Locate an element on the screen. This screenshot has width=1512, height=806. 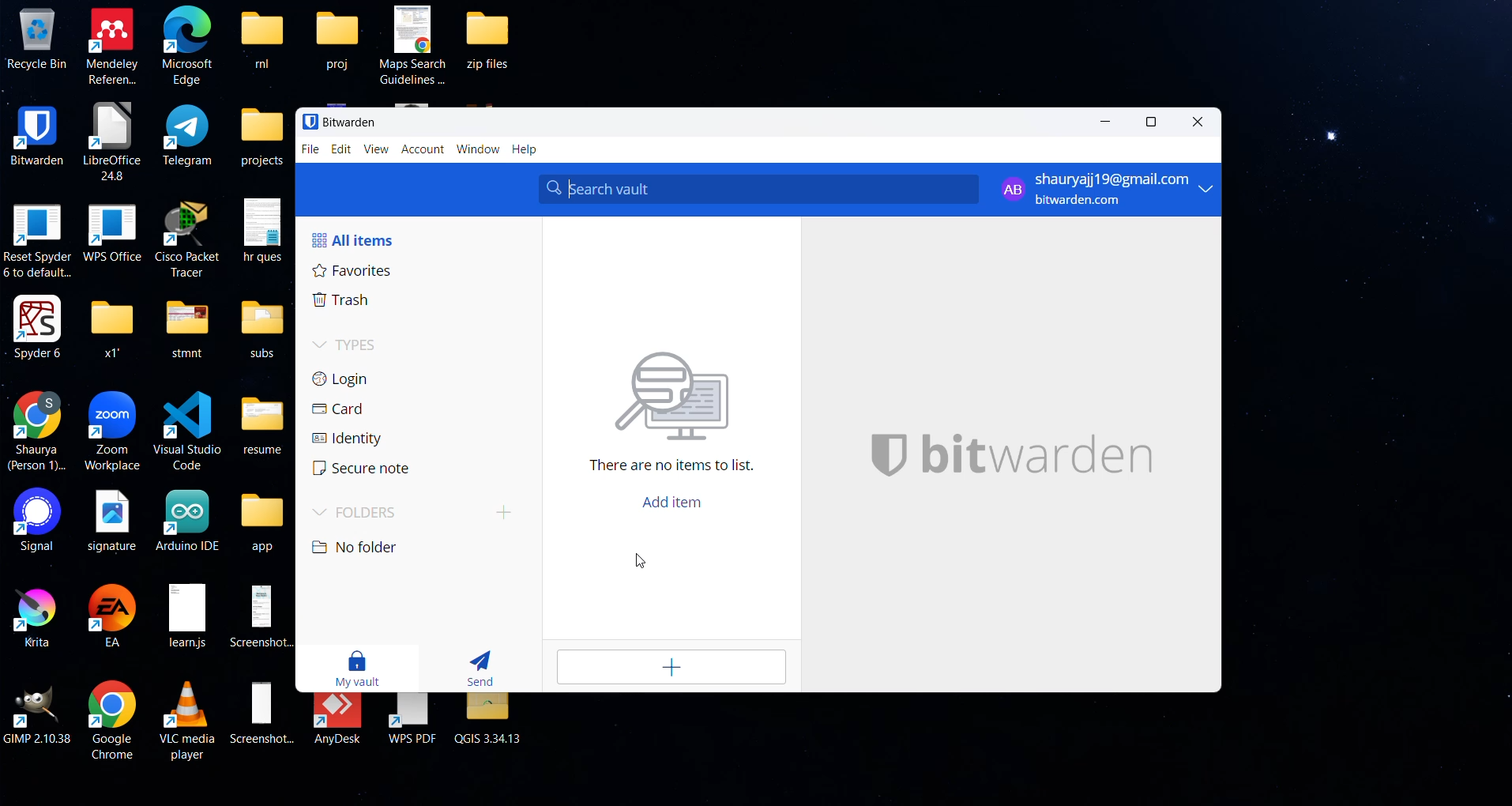
maximize is located at coordinates (1155, 122).